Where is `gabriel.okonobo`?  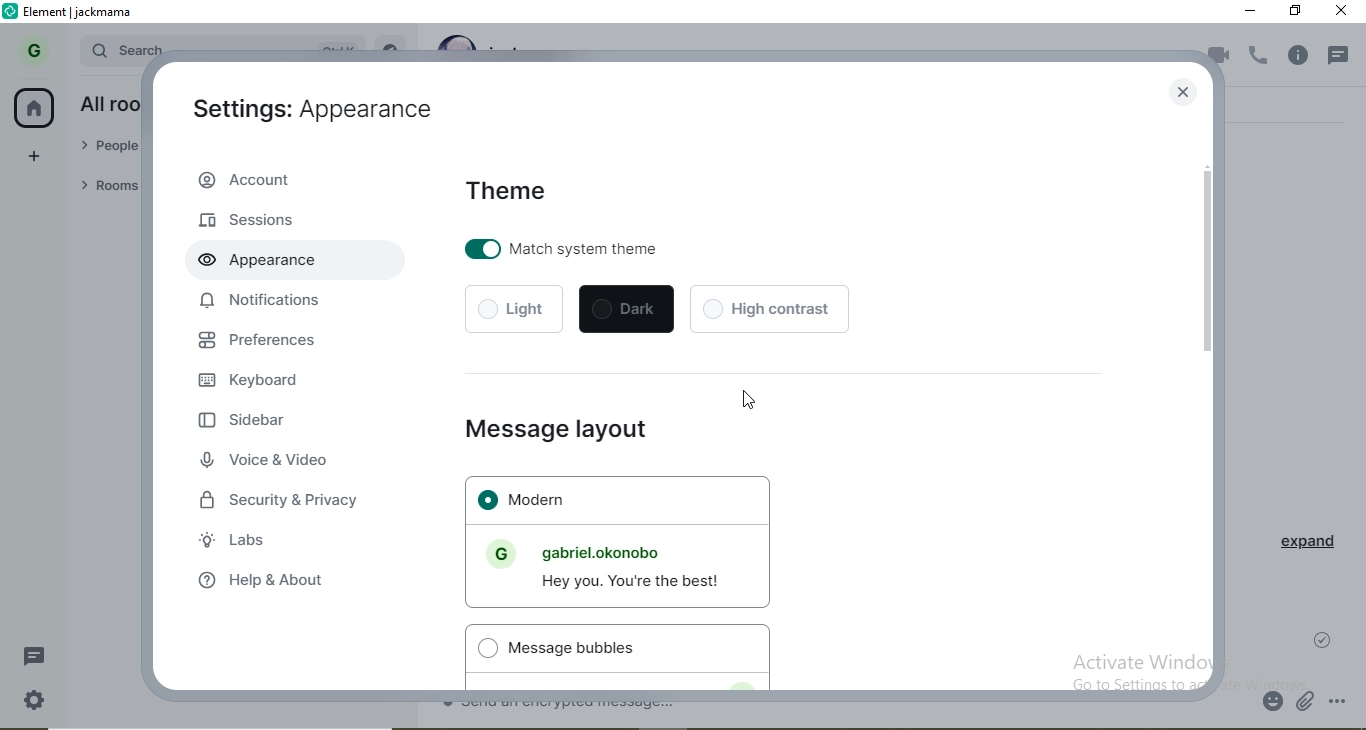
gabriel.okonobo is located at coordinates (614, 553).